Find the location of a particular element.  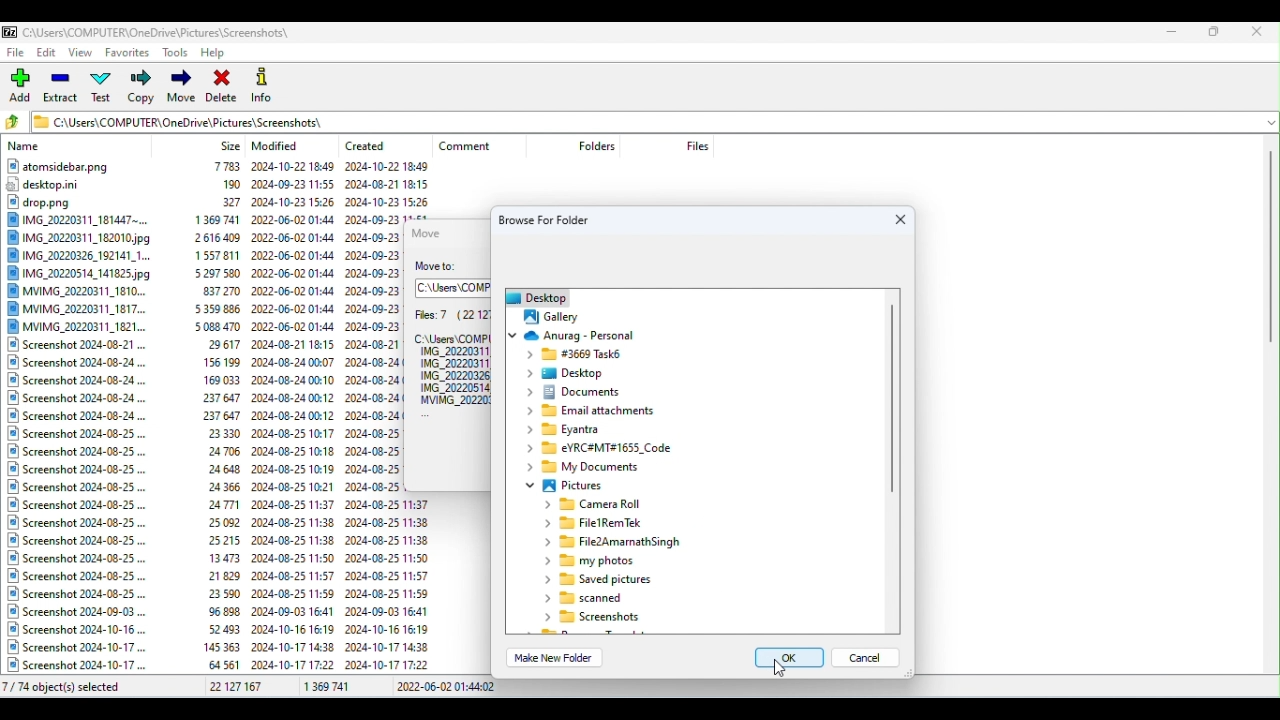

Files is located at coordinates (204, 417).